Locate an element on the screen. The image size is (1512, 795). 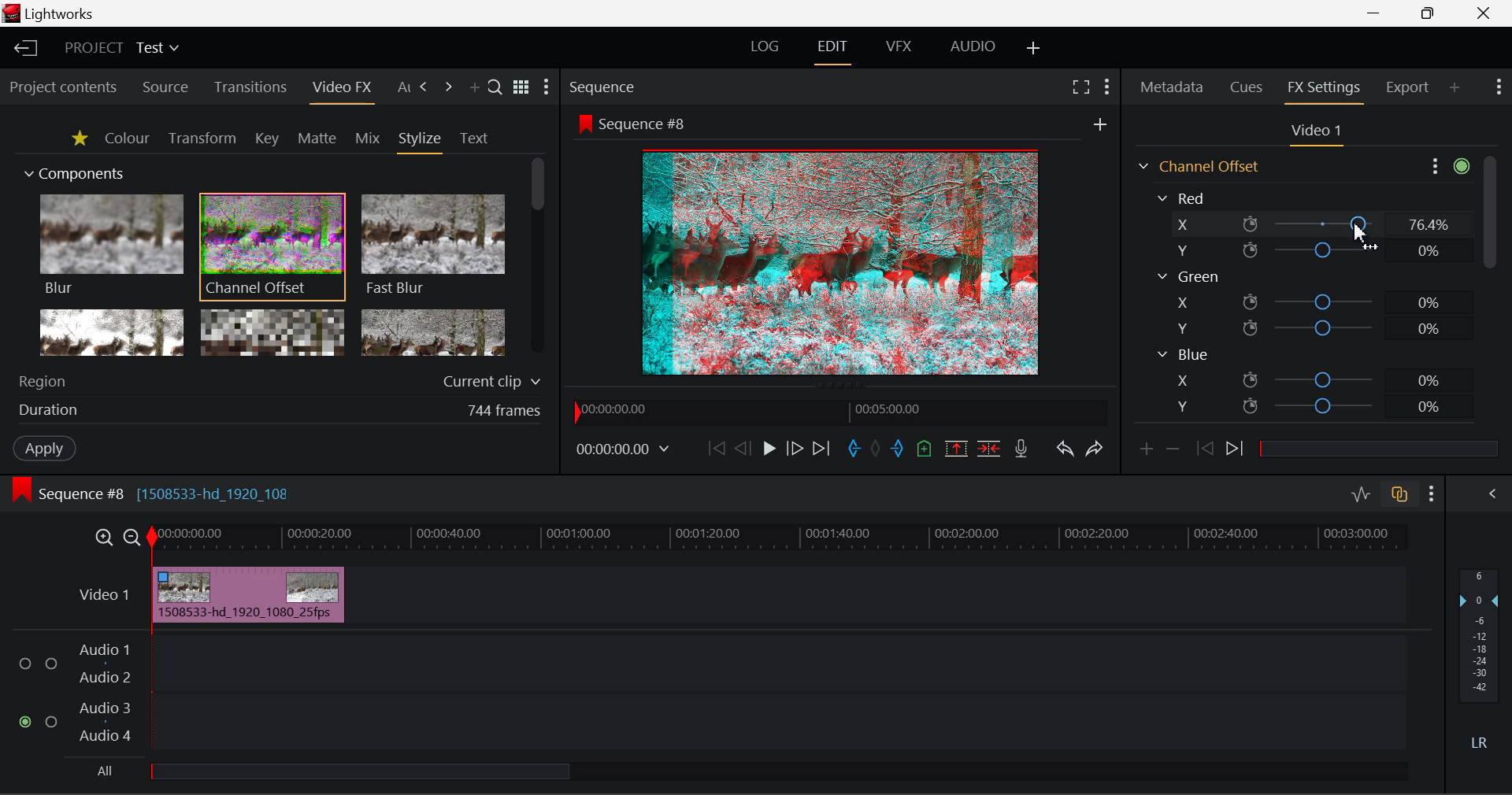
Channel Offset is located at coordinates (272, 248).